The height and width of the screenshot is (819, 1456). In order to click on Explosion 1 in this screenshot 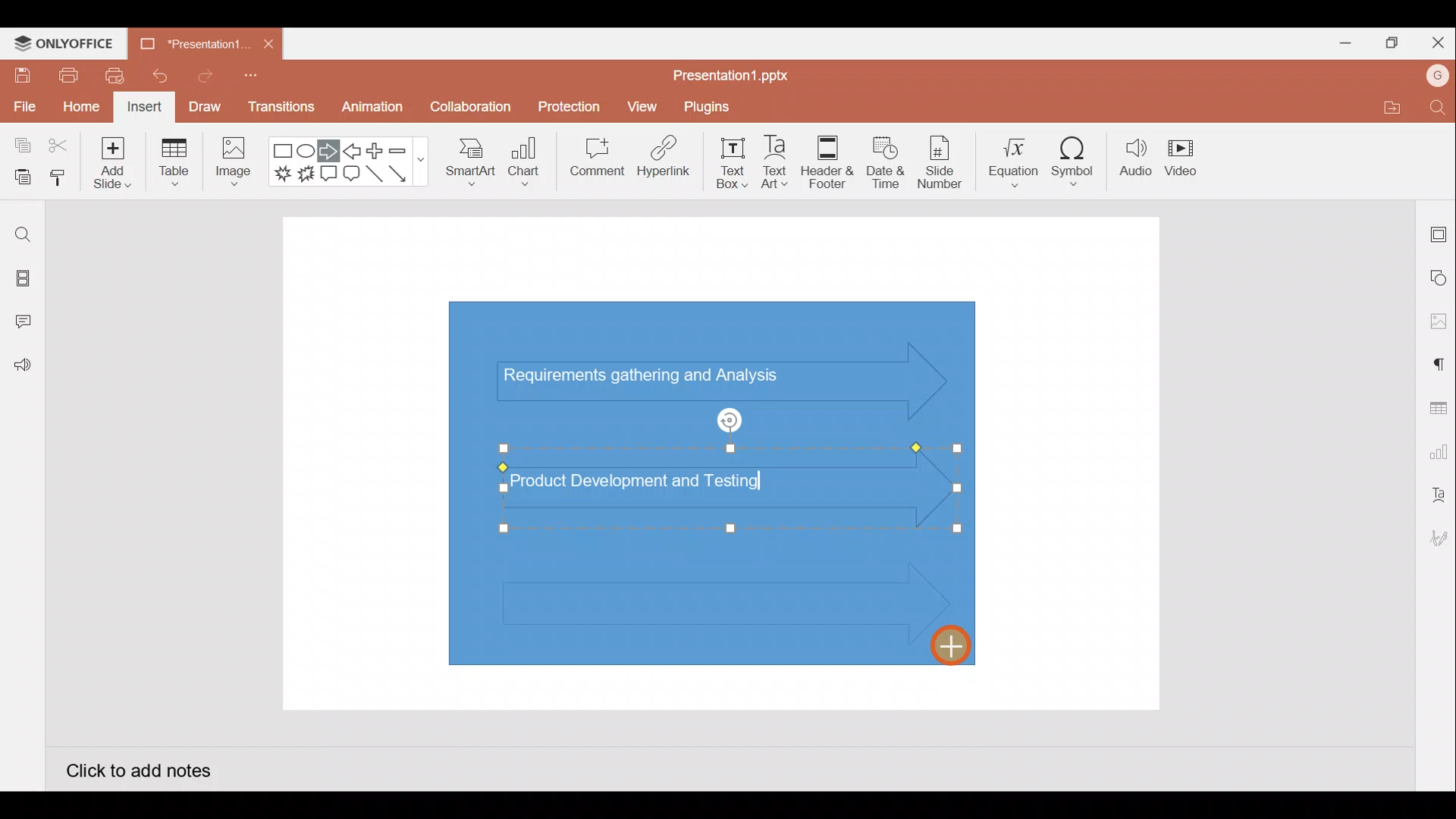, I will do `click(283, 173)`.